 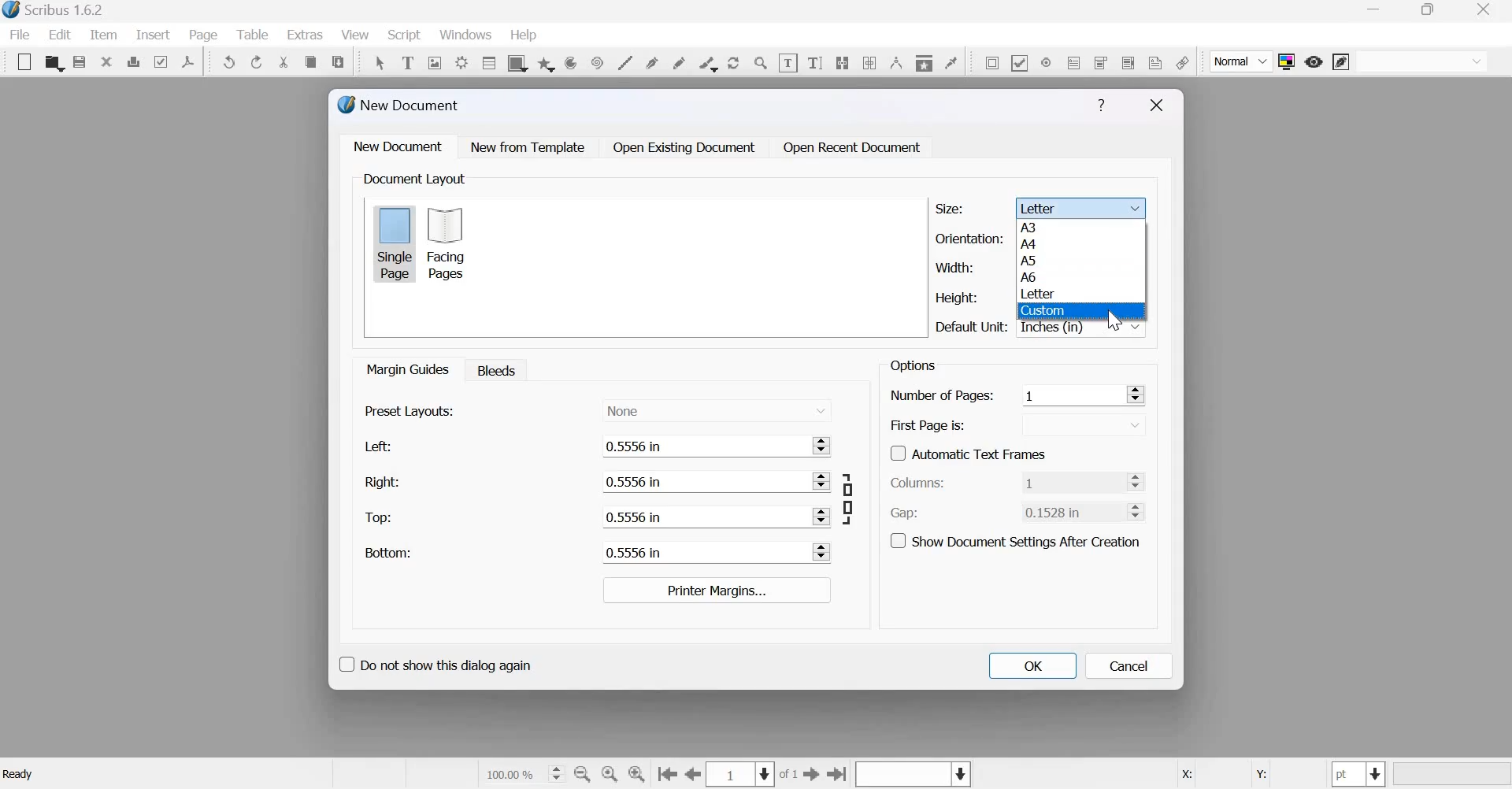 What do you see at coordinates (954, 267) in the screenshot?
I see `Width: ` at bounding box center [954, 267].